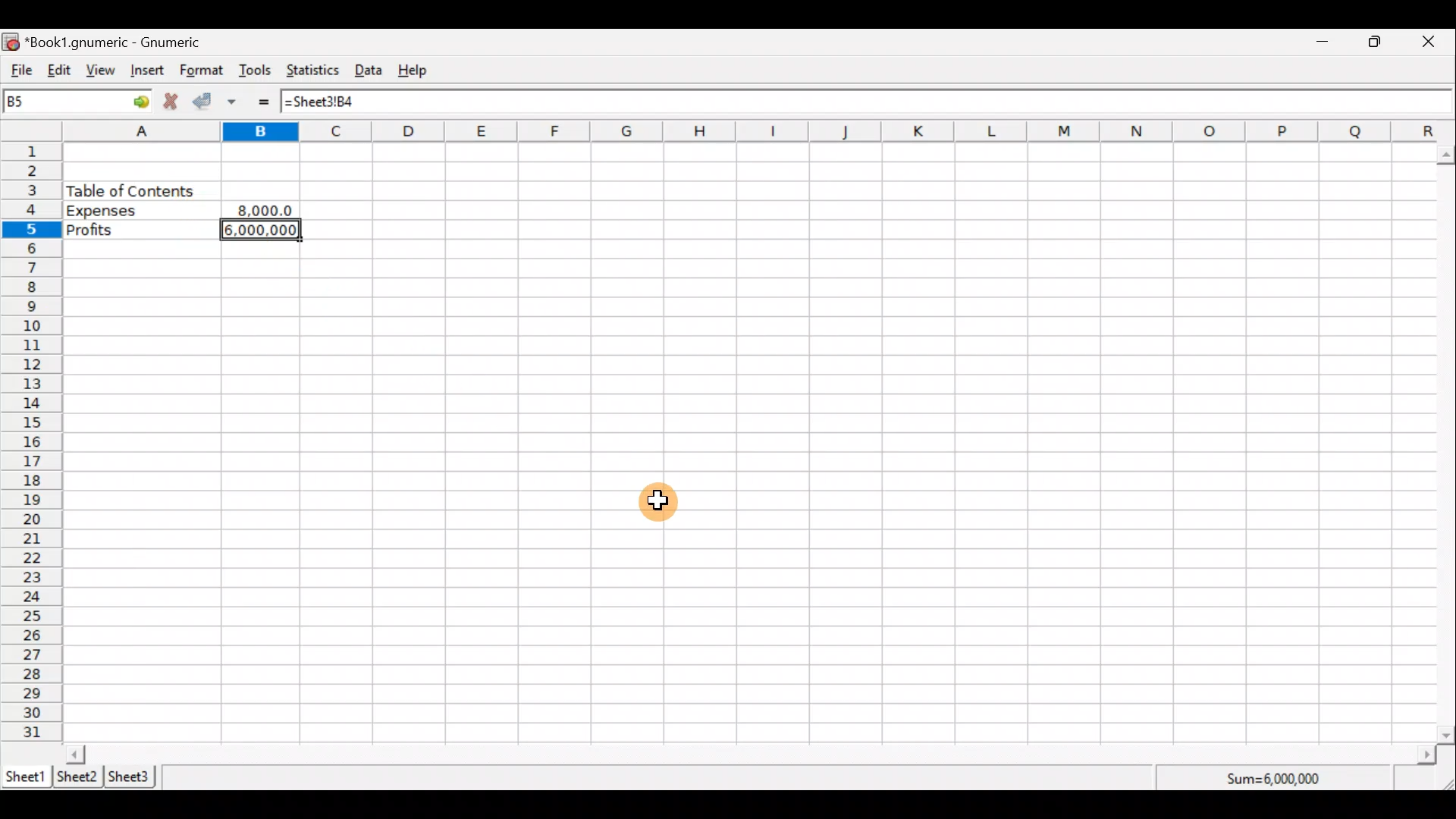  Describe the element at coordinates (76, 754) in the screenshot. I see `scroll left` at that location.